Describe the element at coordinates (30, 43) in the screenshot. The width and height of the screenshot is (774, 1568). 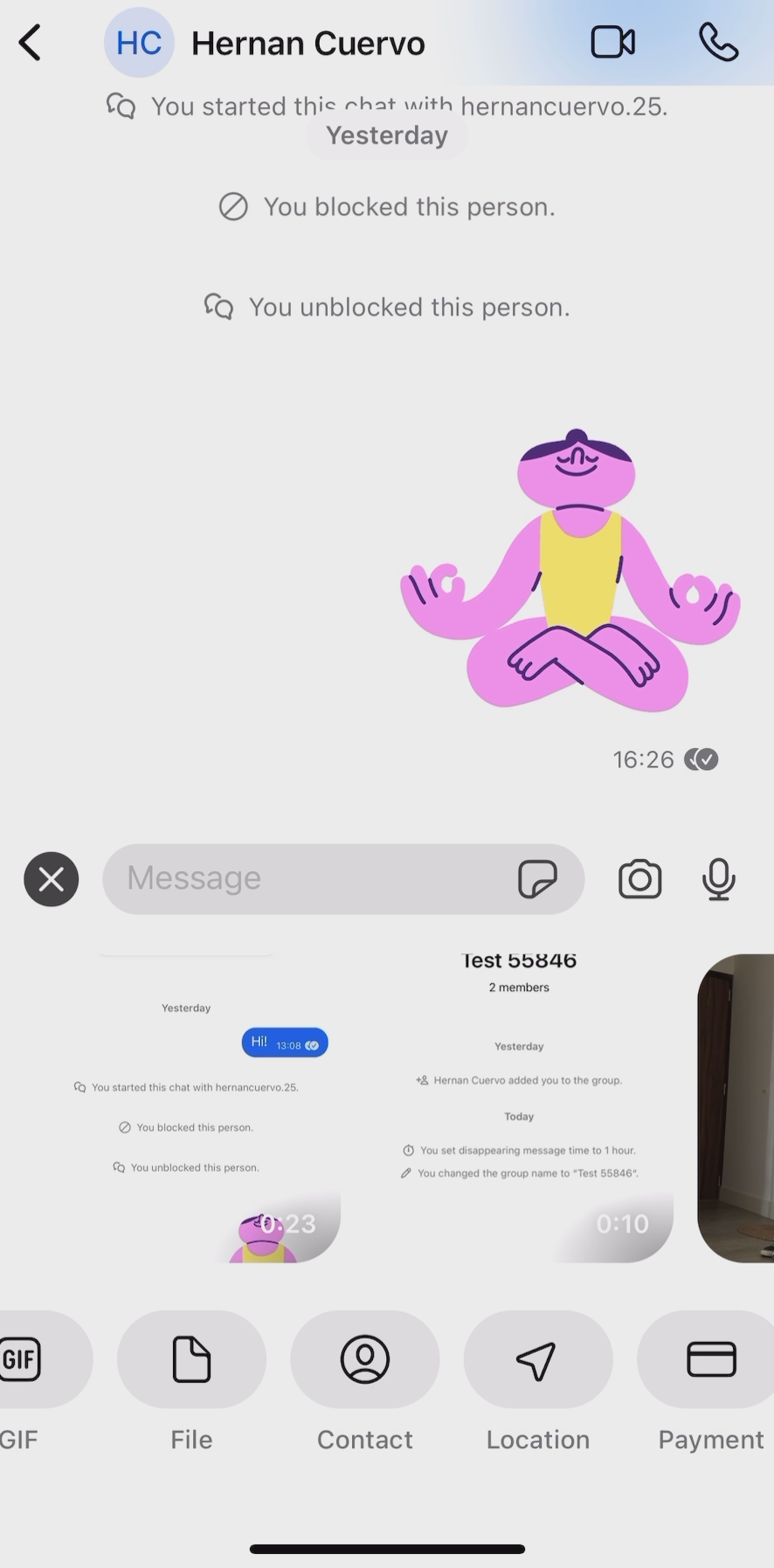
I see `navigate back` at that location.